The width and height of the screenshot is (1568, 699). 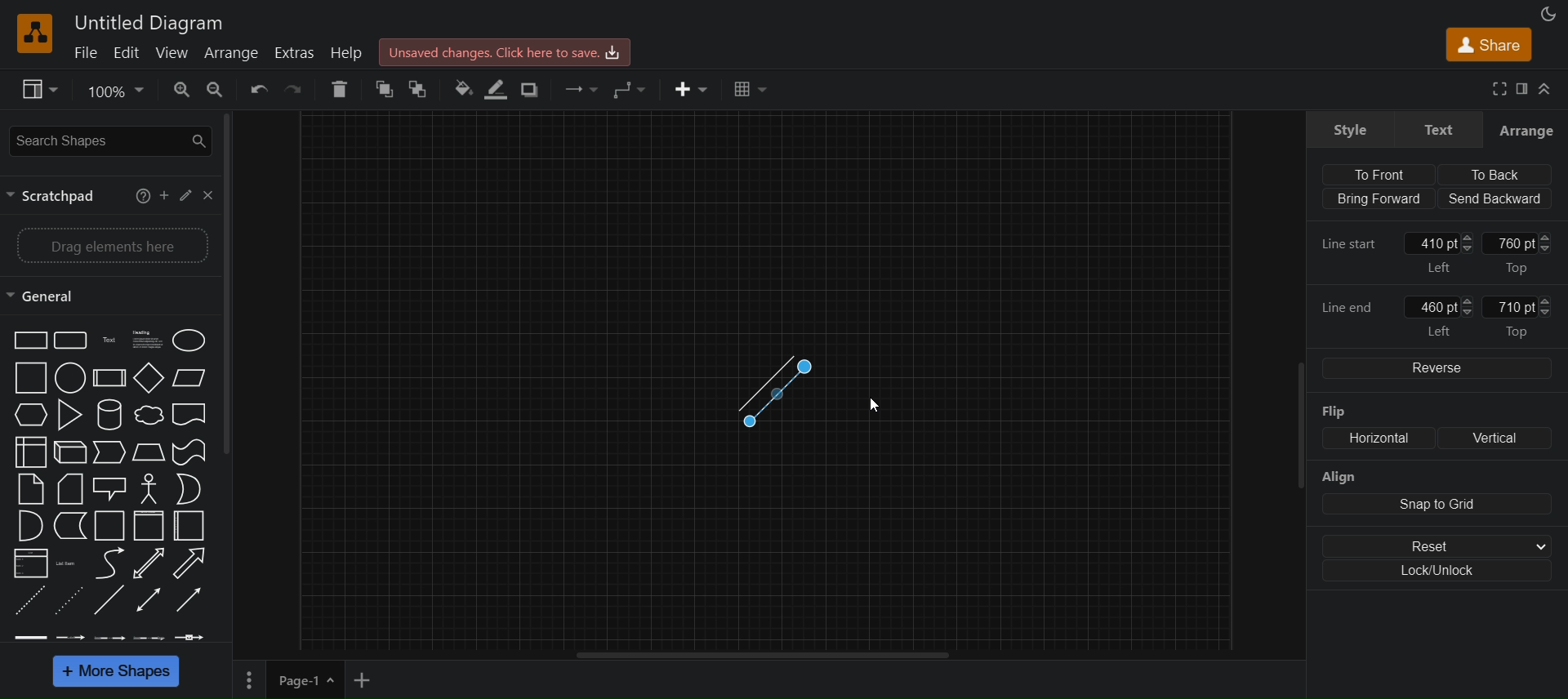 What do you see at coordinates (461, 89) in the screenshot?
I see `fill color` at bounding box center [461, 89].